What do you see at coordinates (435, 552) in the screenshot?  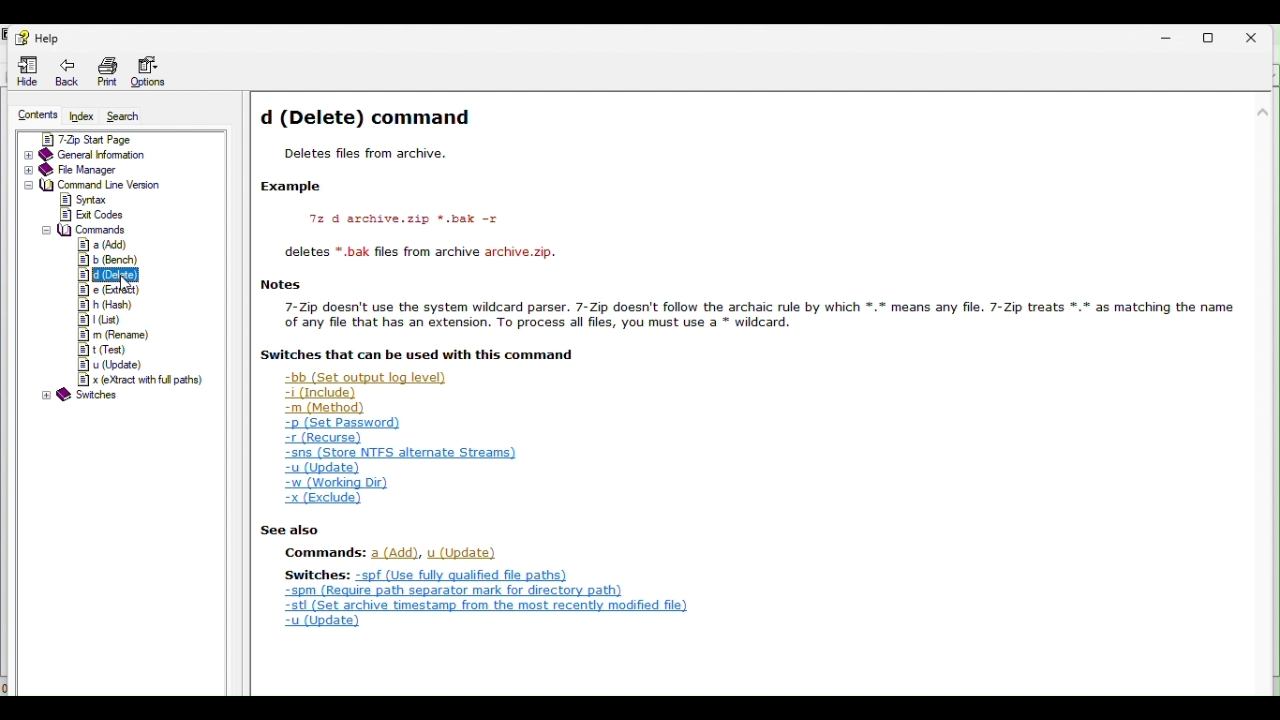 I see `a,u` at bounding box center [435, 552].